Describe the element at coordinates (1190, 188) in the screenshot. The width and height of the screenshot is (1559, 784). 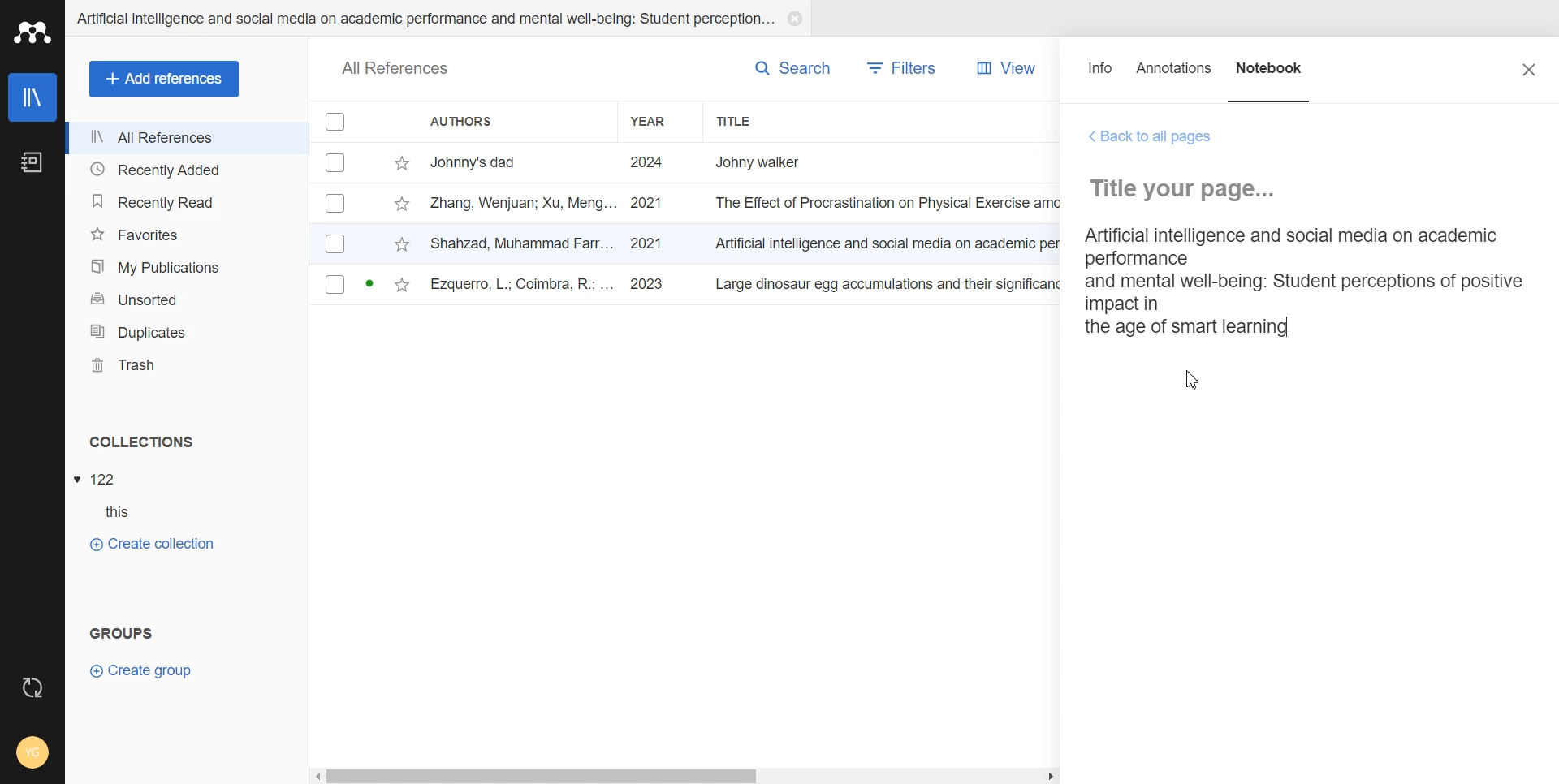
I see `Title your page` at that location.